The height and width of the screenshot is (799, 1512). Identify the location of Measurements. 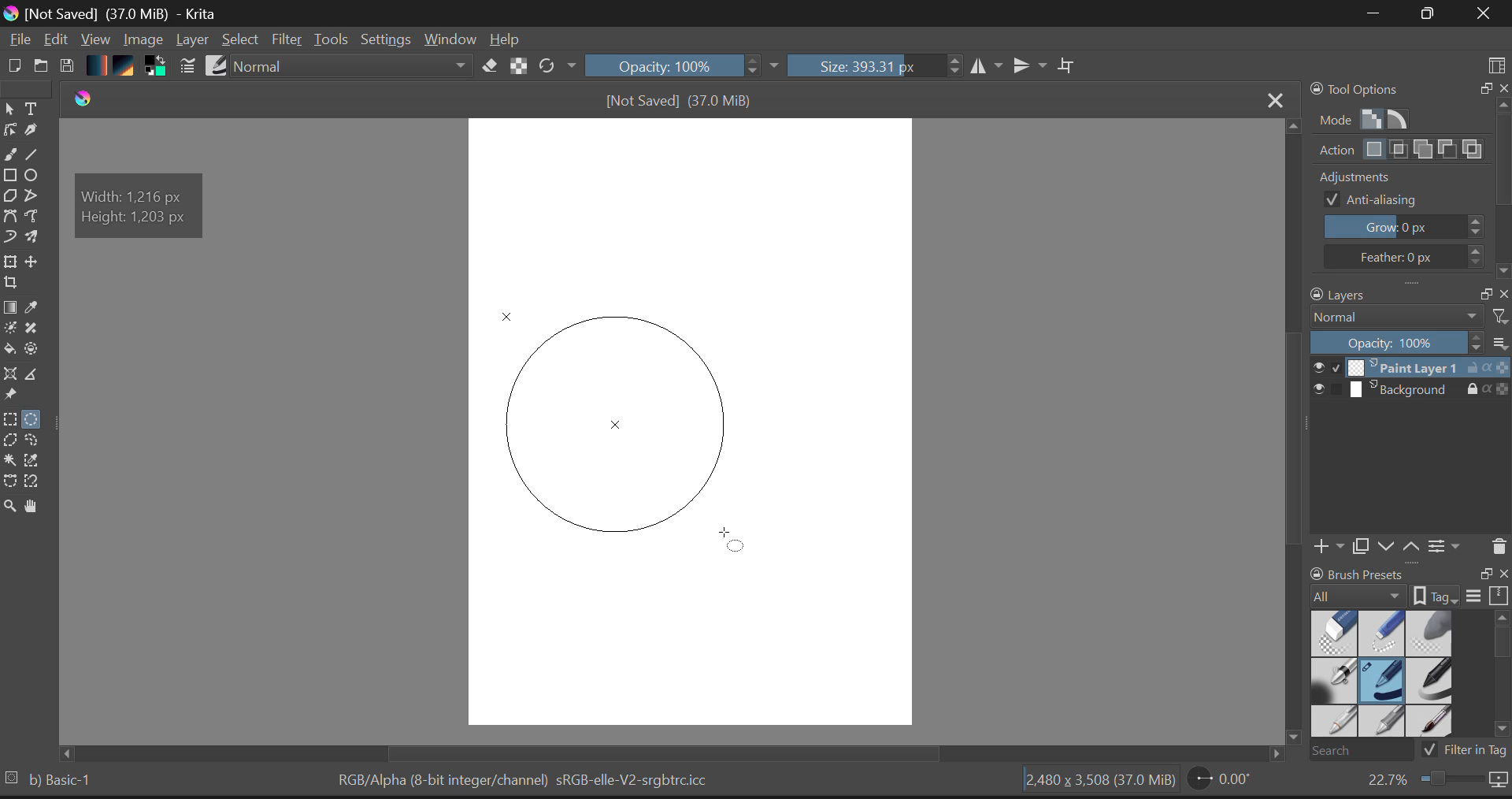
(38, 375).